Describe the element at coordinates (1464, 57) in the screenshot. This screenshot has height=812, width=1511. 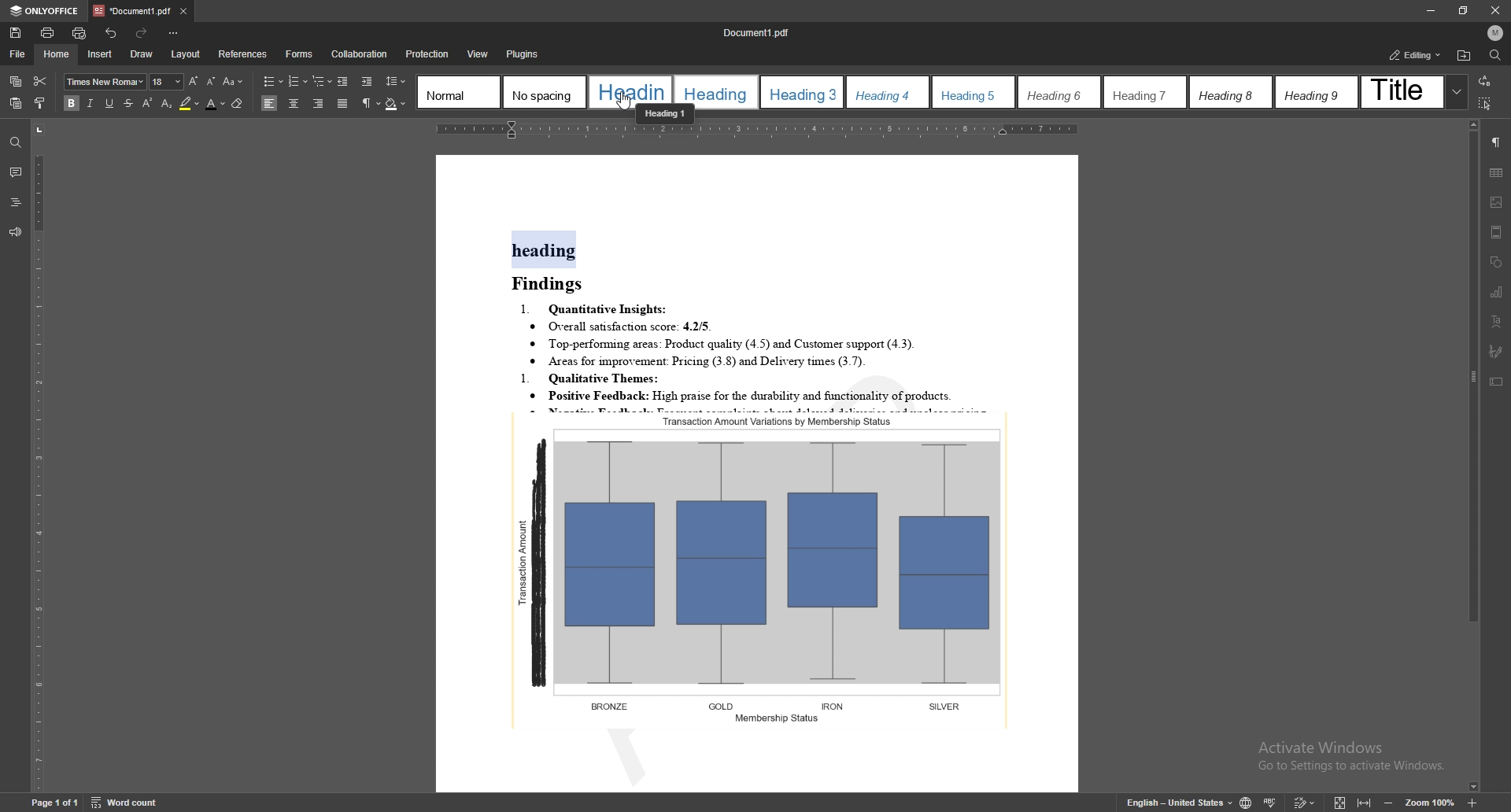
I see `locate file` at that location.